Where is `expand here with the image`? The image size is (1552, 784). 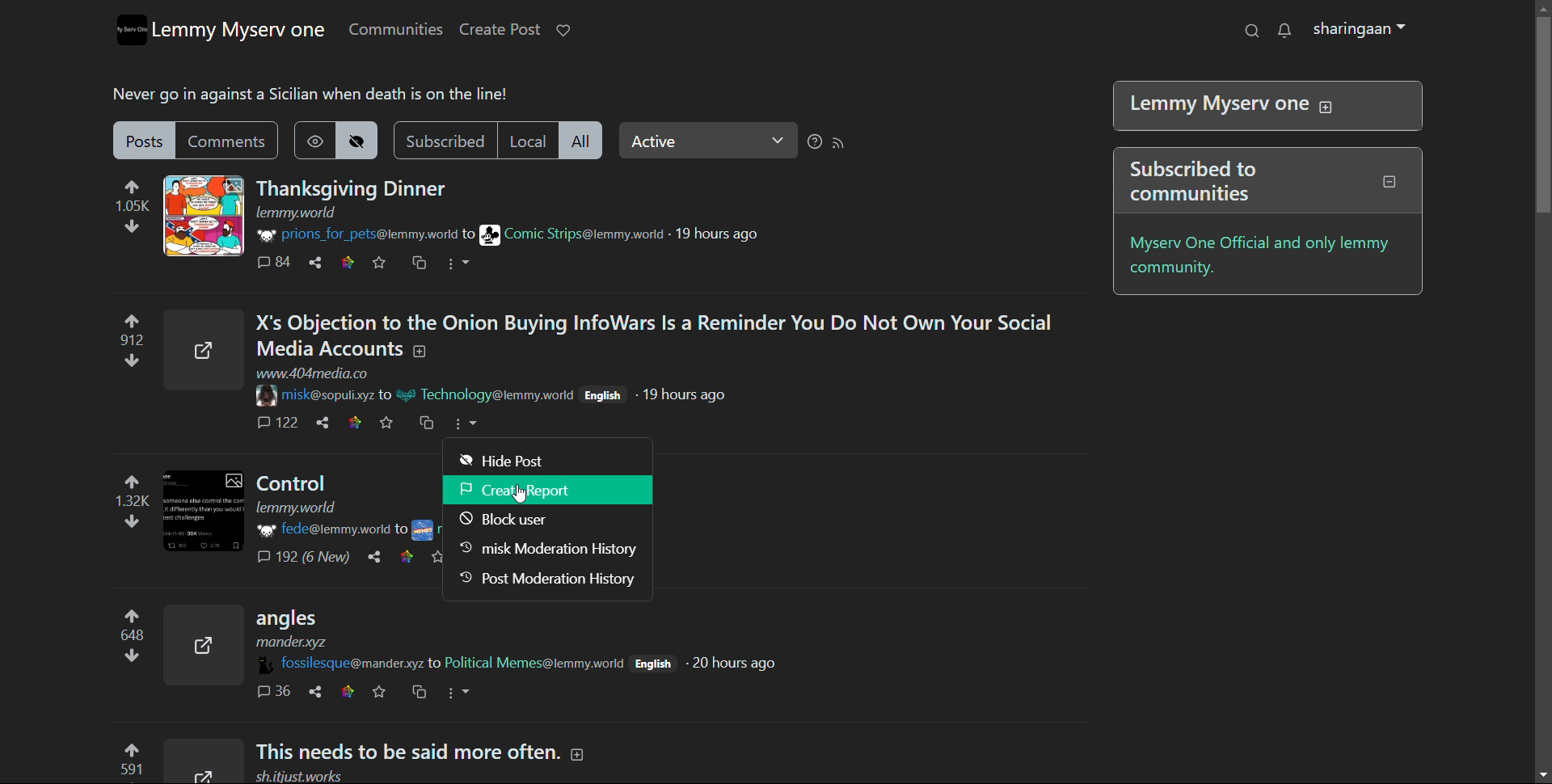
expand here with the image is located at coordinates (203, 216).